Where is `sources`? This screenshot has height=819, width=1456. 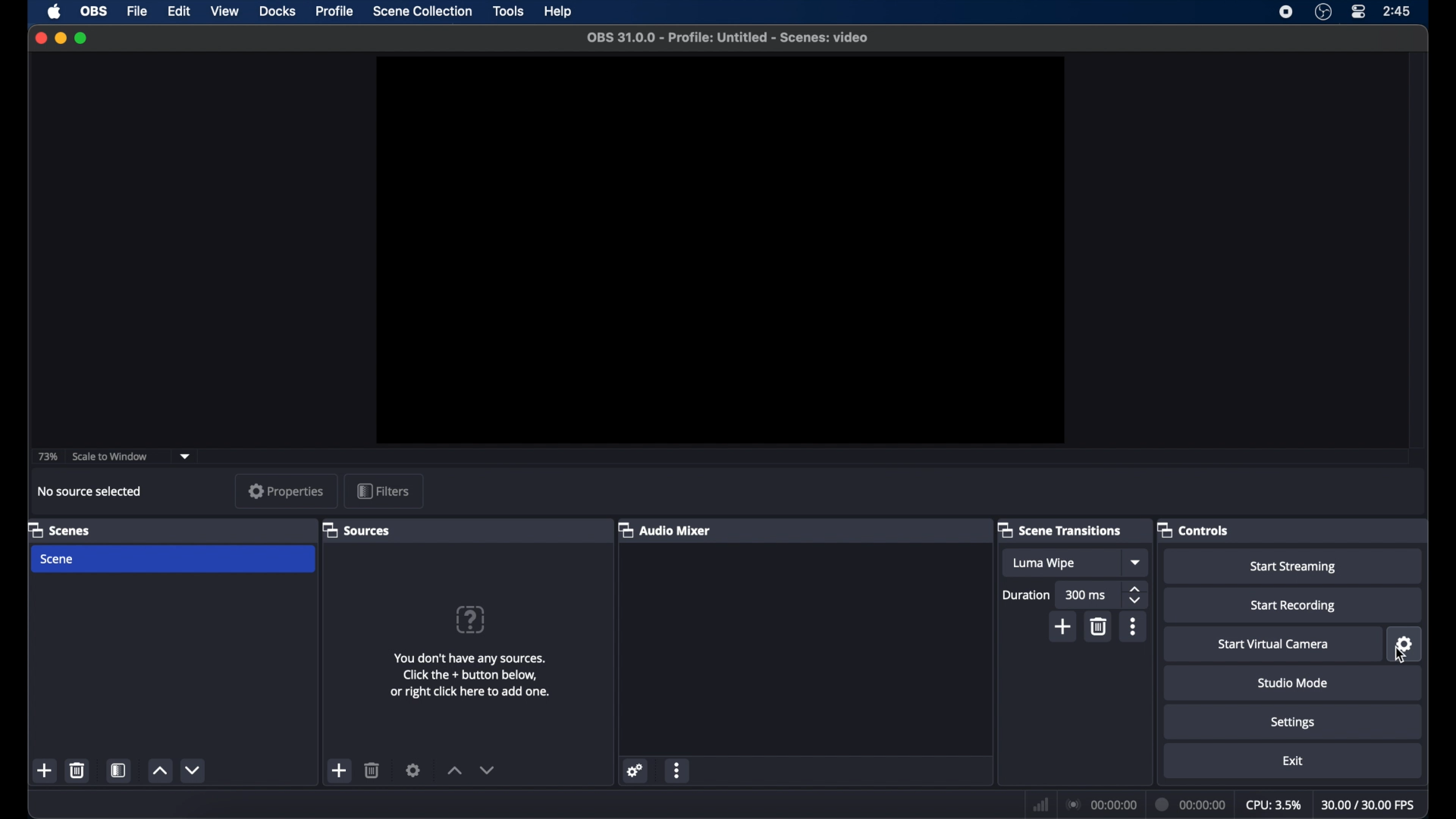
sources is located at coordinates (356, 530).